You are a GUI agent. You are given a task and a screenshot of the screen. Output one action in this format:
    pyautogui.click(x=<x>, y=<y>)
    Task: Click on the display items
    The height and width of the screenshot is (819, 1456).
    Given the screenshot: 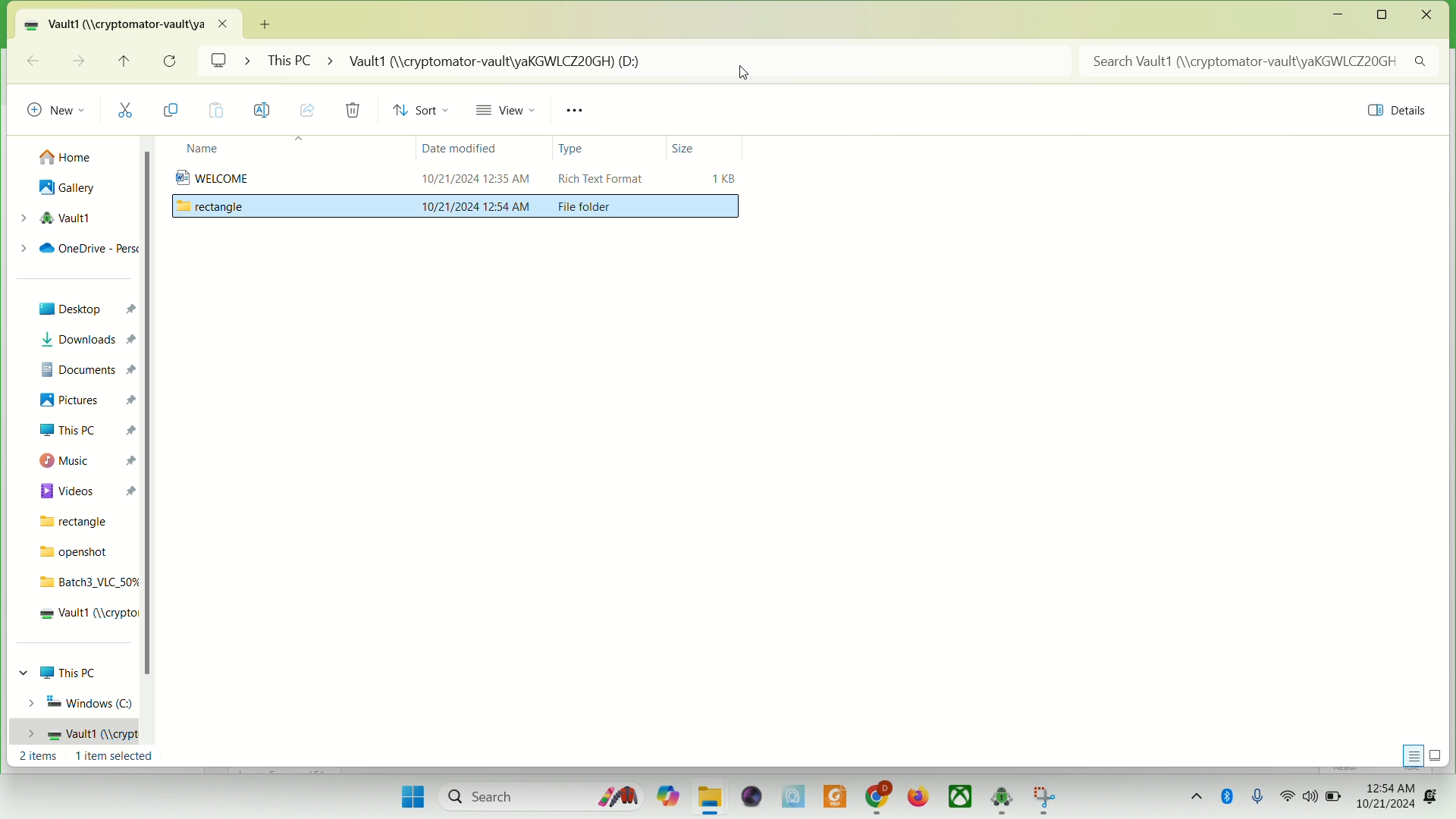 What is the action you would take?
    pyautogui.click(x=1439, y=755)
    